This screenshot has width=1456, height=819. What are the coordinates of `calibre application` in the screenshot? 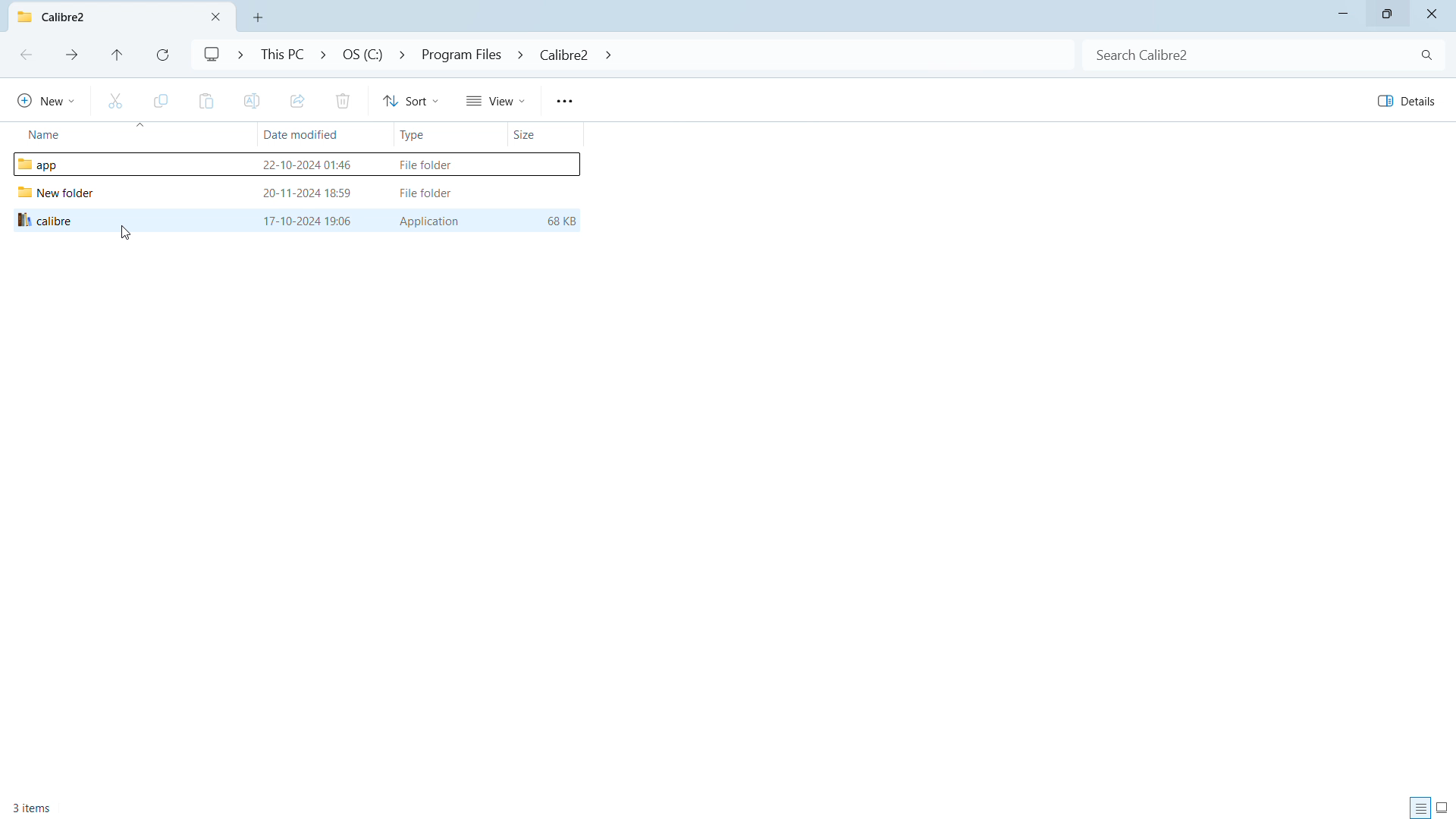 It's located at (127, 220).